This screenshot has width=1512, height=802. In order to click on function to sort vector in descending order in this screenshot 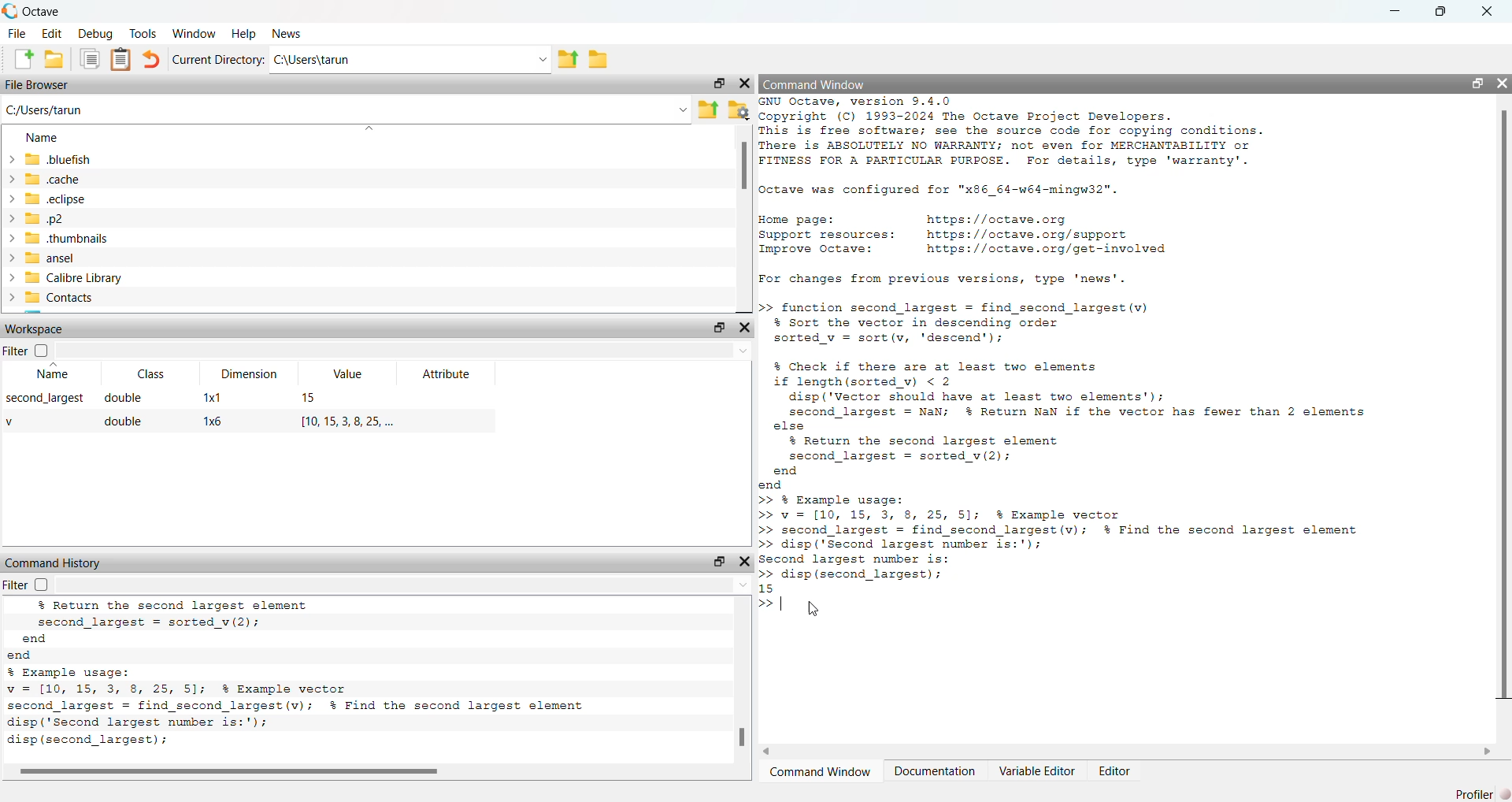, I will do `click(1006, 325)`.